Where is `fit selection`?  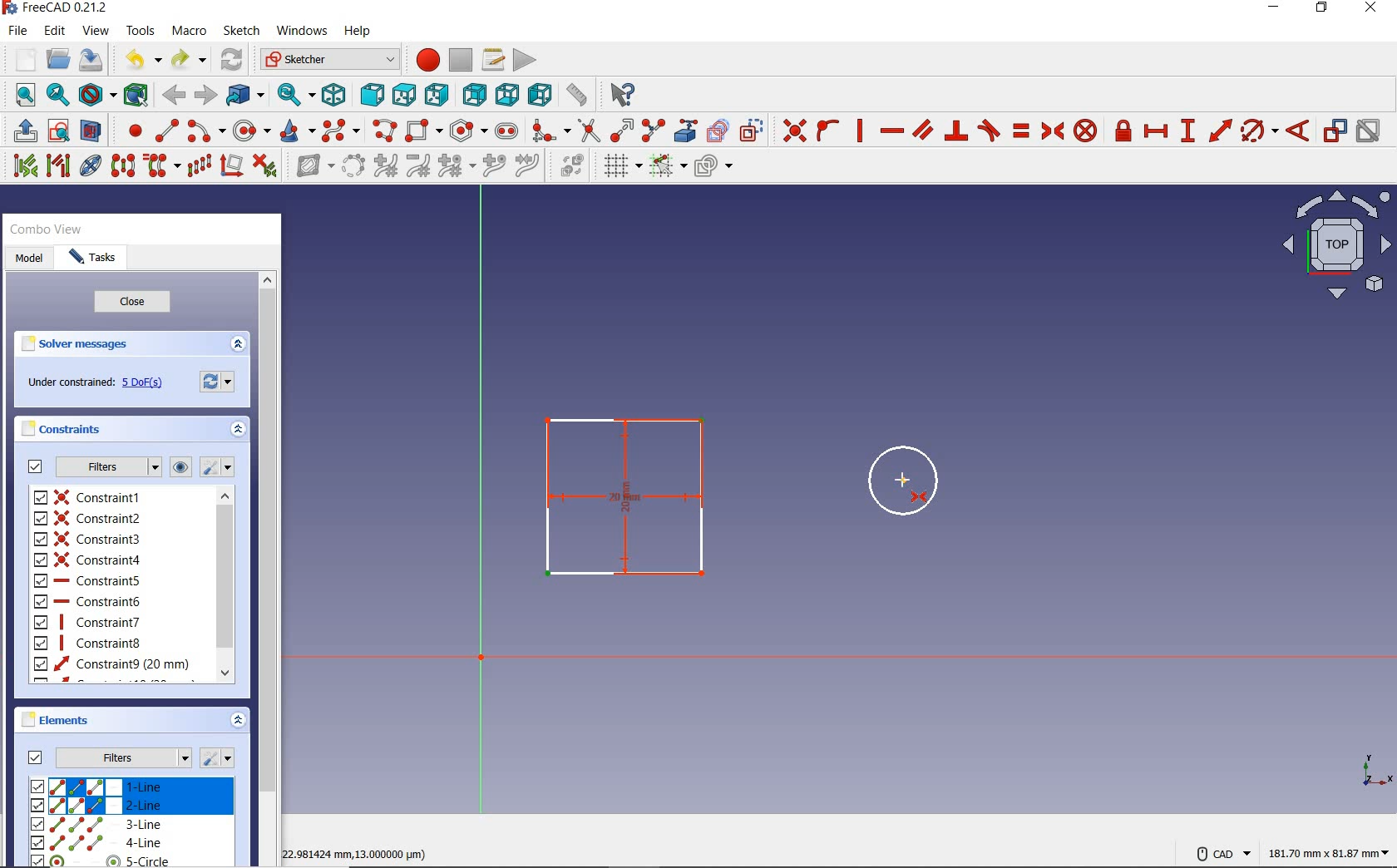 fit selection is located at coordinates (57, 96).